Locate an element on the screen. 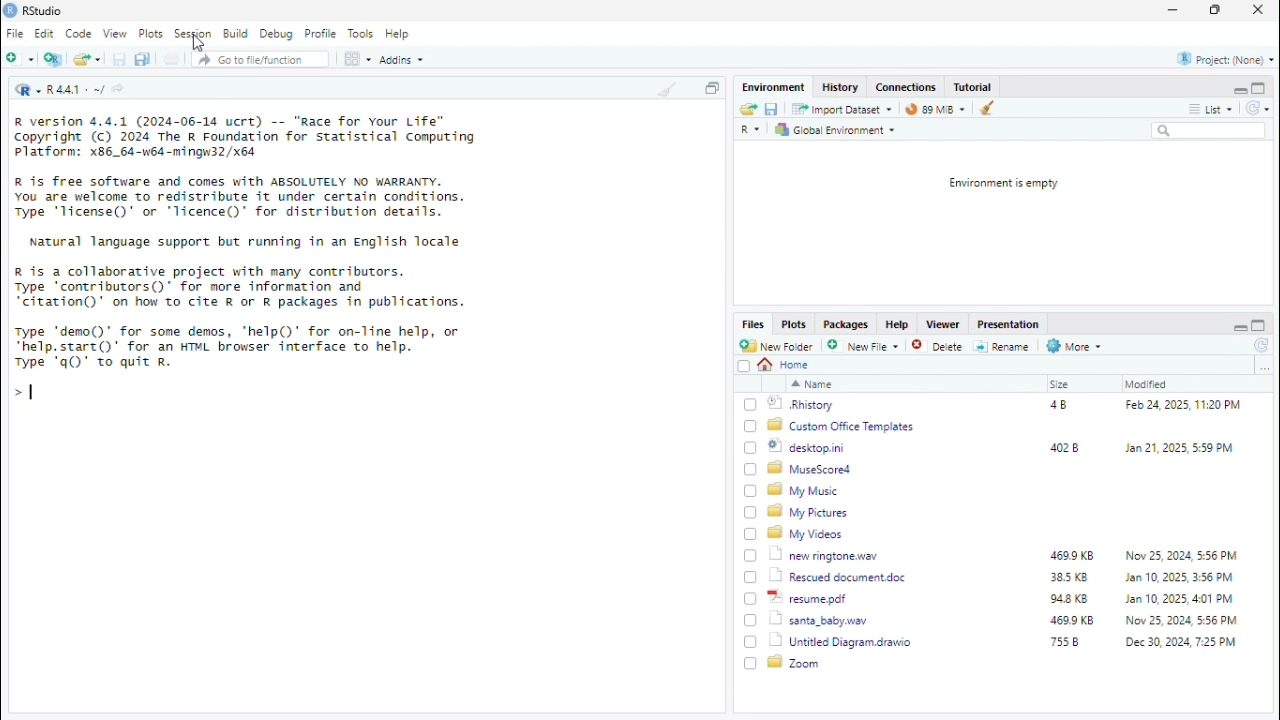 The width and height of the screenshot is (1280, 720). Addins is located at coordinates (403, 60).